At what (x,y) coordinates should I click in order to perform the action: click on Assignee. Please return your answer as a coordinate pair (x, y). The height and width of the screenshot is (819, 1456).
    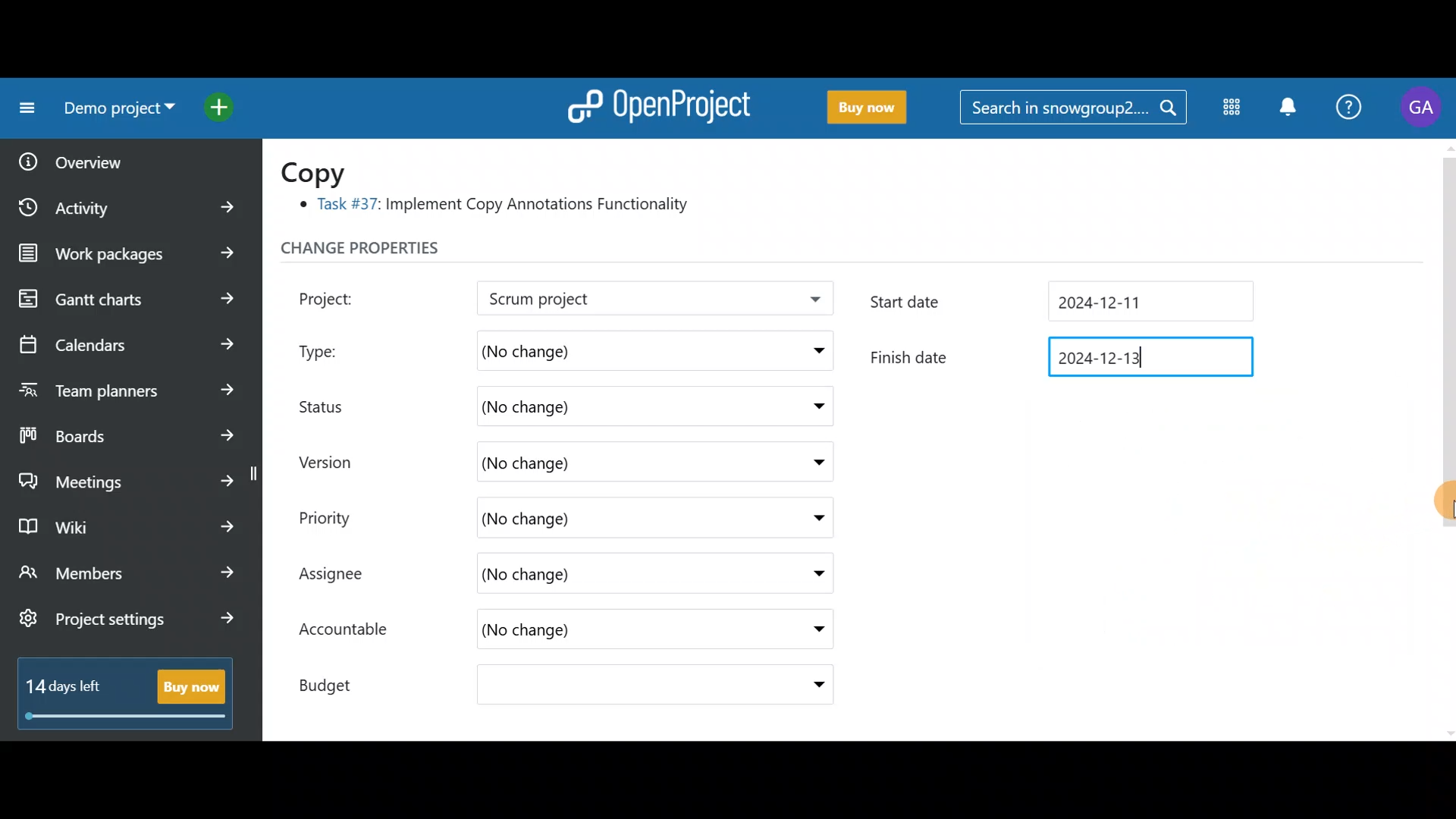
    Looking at the image, I should click on (346, 576).